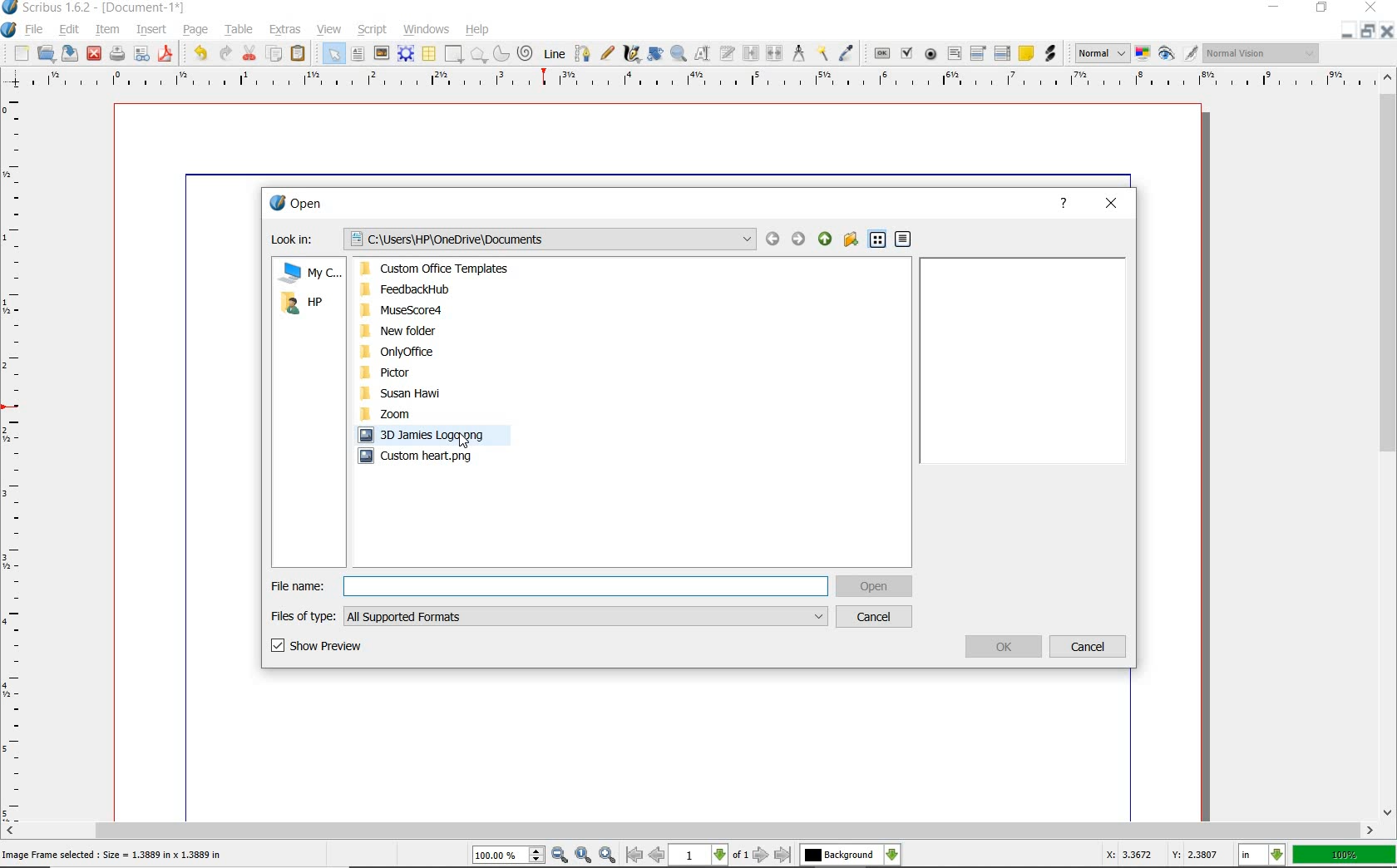 The image size is (1397, 868). I want to click on Previous Page, so click(658, 857).